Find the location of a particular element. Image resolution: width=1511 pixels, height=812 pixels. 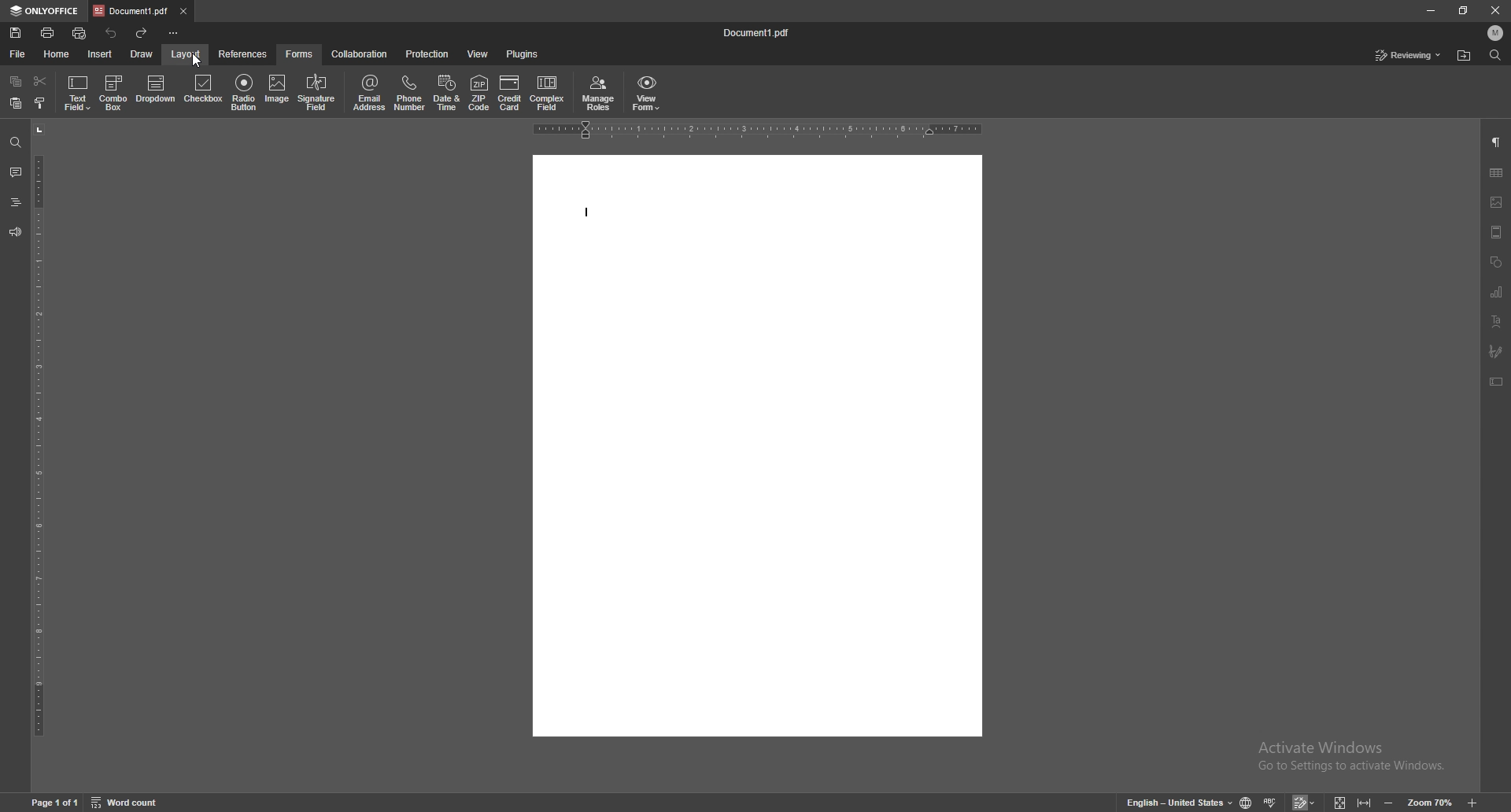

complex field is located at coordinates (549, 93).